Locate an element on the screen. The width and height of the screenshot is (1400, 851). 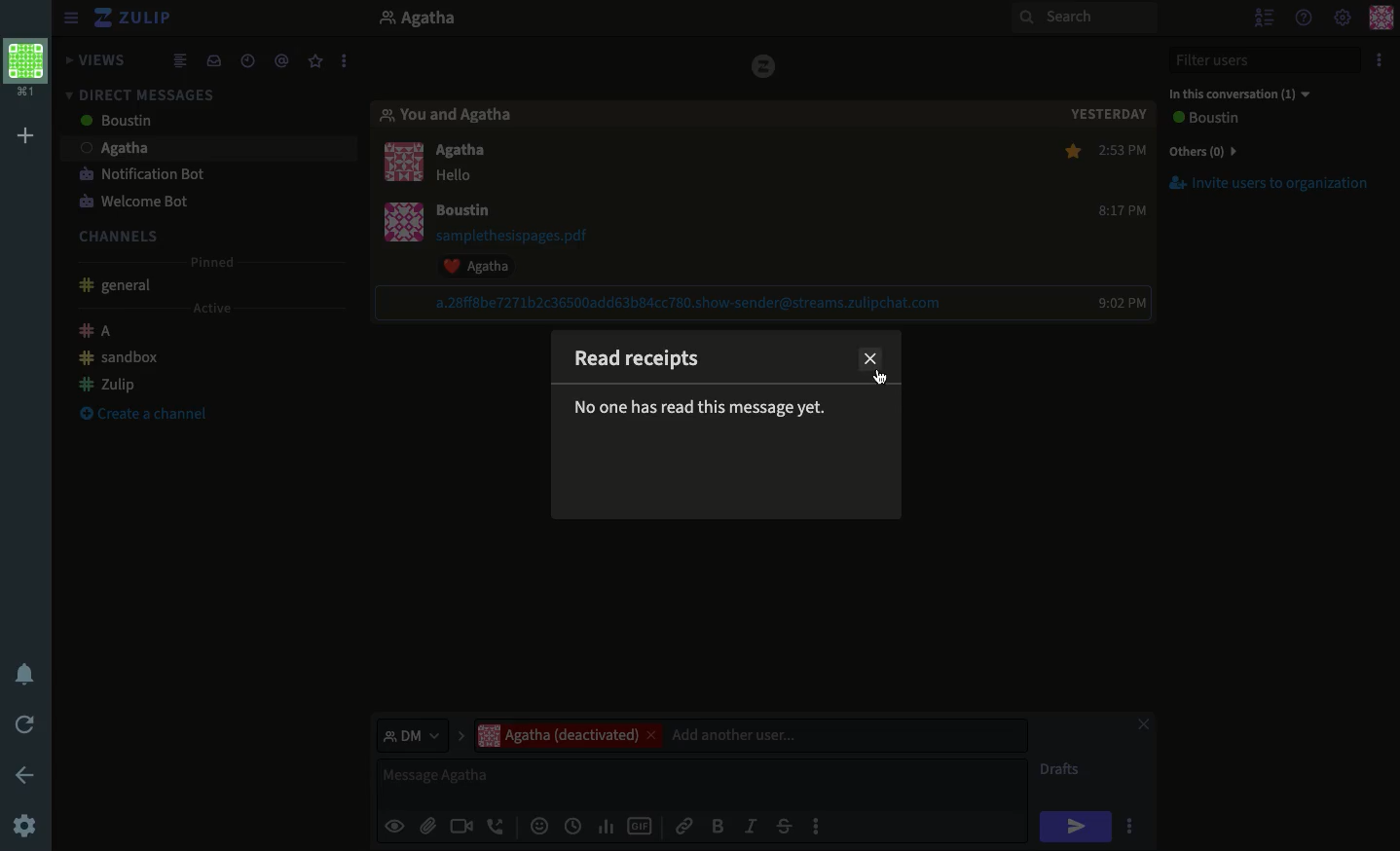
Feed is located at coordinates (183, 59).